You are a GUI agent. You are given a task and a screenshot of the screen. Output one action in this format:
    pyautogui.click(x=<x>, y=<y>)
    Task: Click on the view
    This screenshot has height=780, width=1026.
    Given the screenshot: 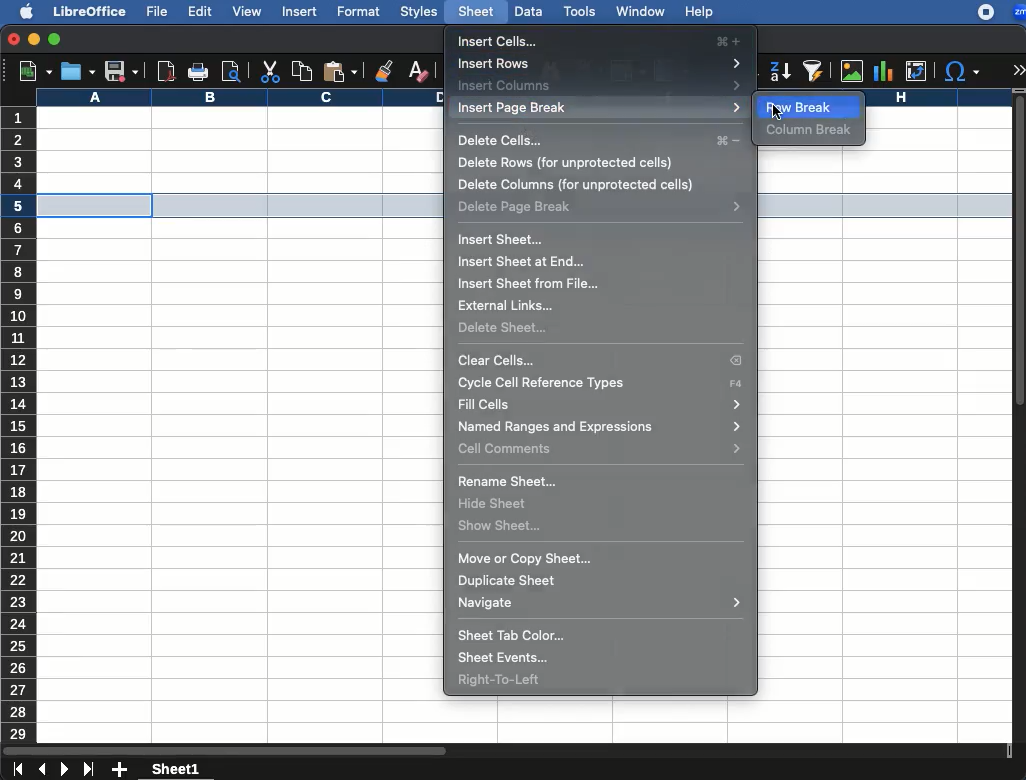 What is the action you would take?
    pyautogui.click(x=246, y=12)
    